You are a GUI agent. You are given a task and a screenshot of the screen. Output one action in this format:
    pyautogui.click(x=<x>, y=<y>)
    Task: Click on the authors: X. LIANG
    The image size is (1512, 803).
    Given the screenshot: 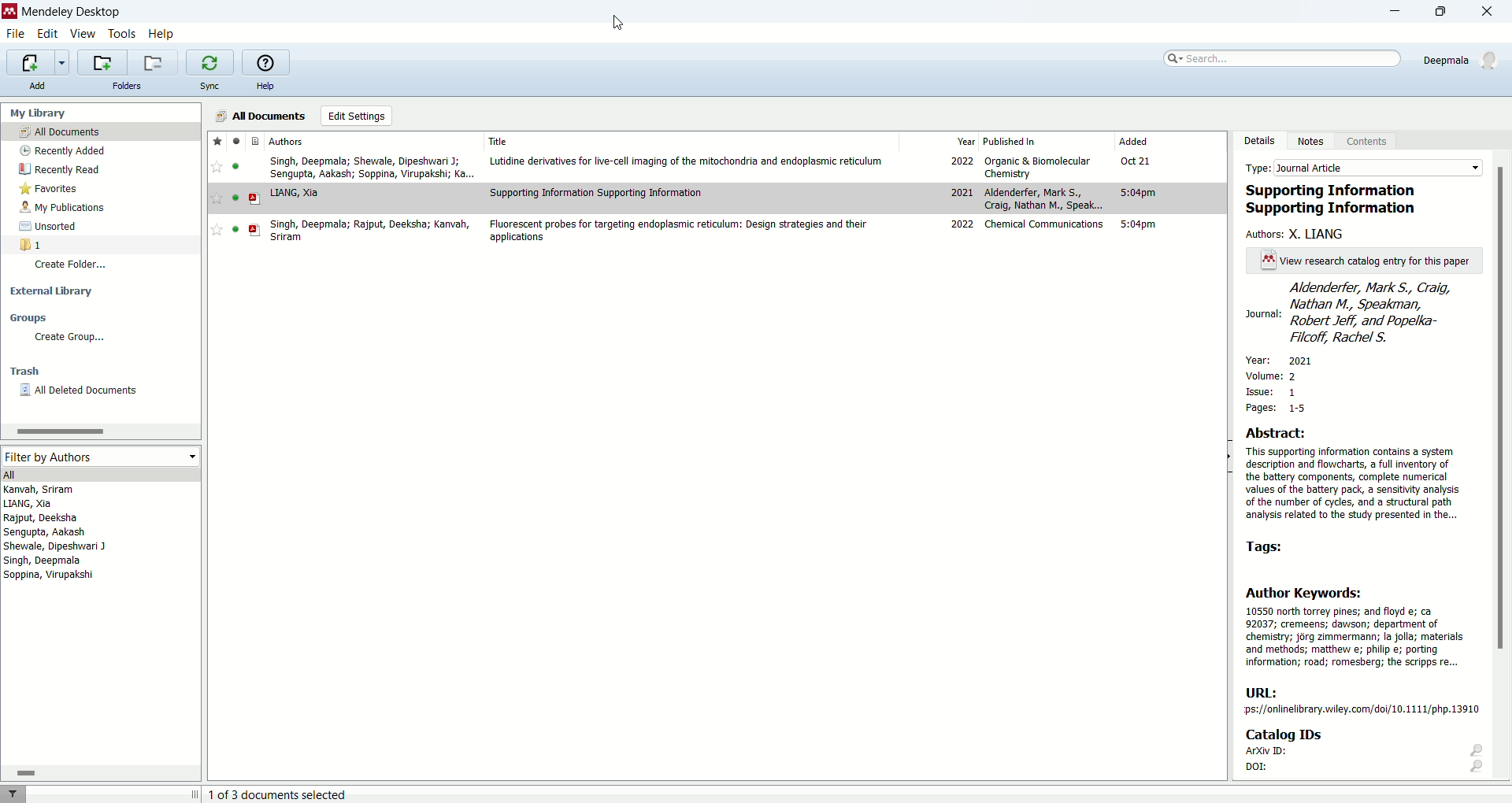 What is the action you would take?
    pyautogui.click(x=1299, y=234)
    